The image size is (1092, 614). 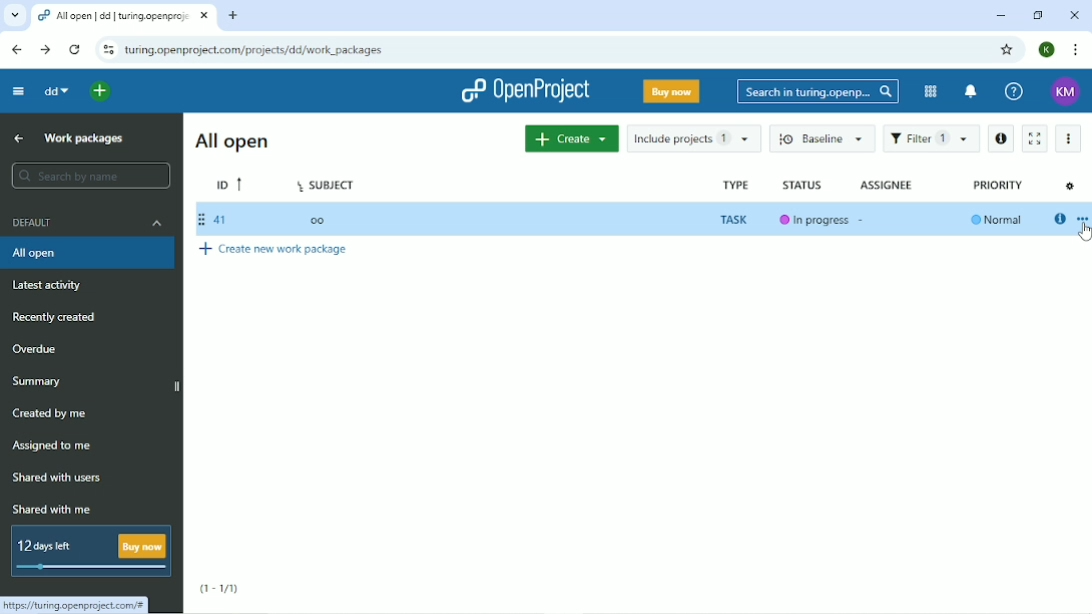 I want to click on 41, so click(x=218, y=220).